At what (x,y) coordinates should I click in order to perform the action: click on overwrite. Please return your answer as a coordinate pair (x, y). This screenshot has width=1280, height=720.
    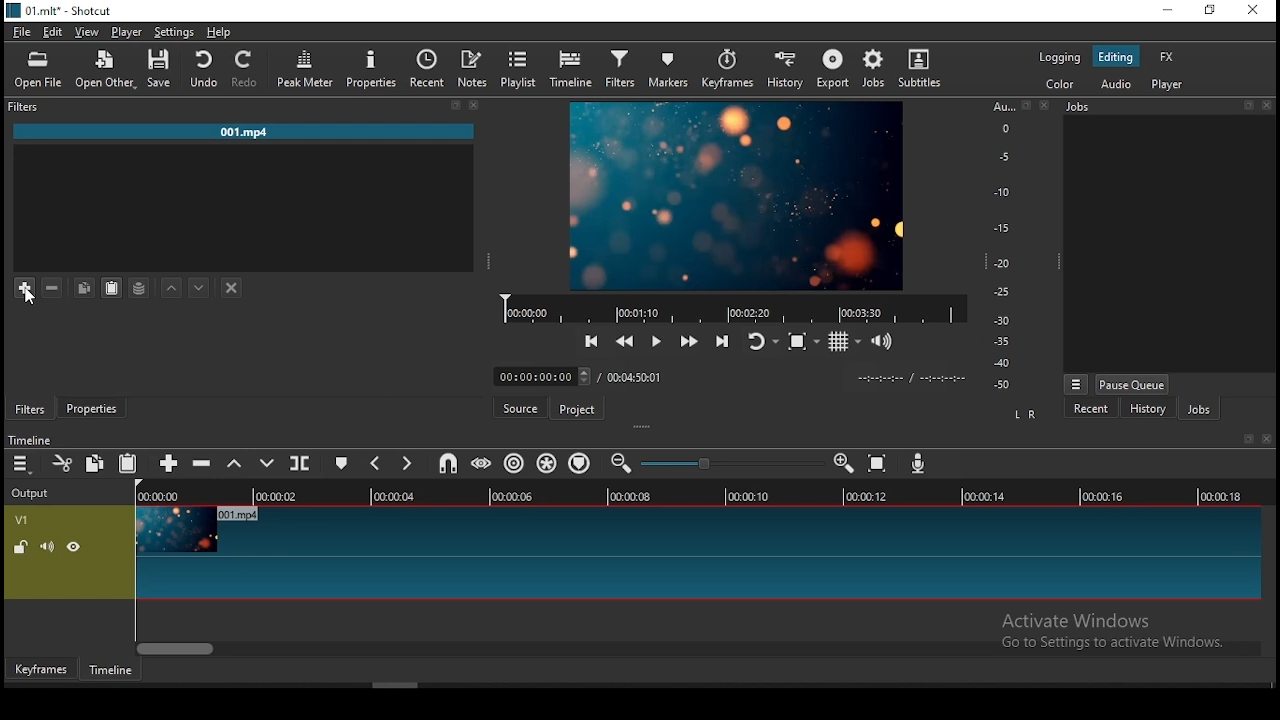
    Looking at the image, I should click on (269, 462).